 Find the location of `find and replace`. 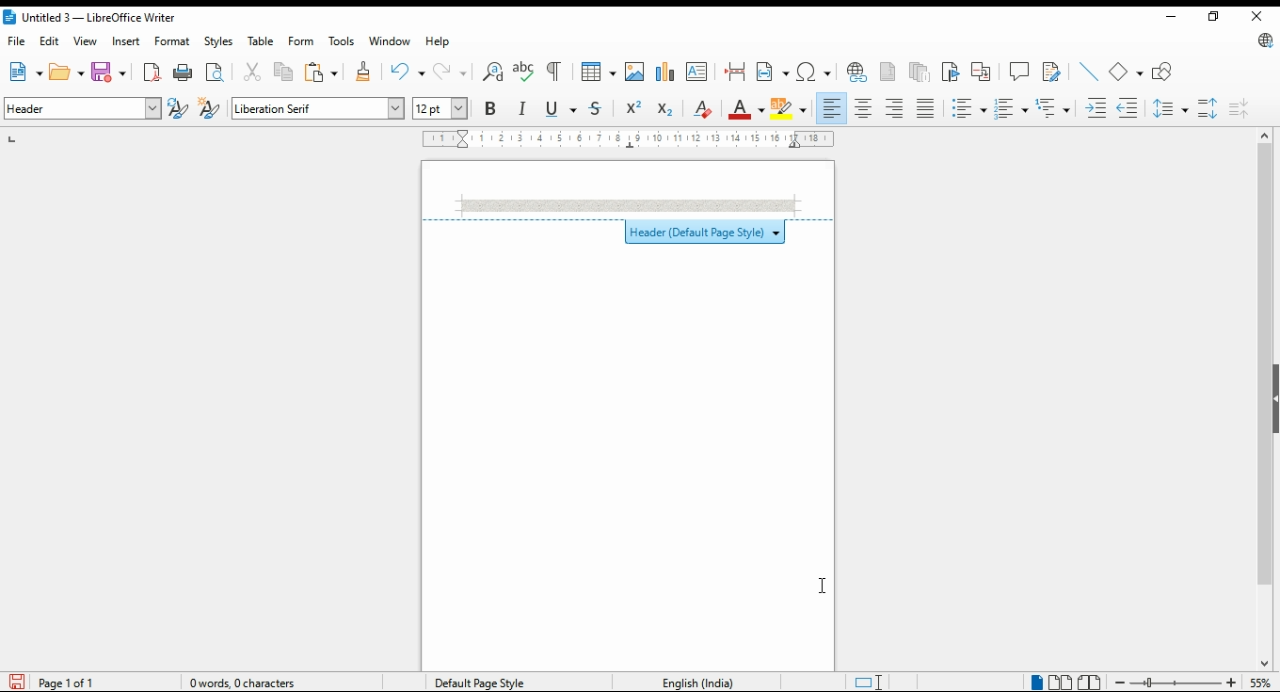

find and replace is located at coordinates (494, 72).